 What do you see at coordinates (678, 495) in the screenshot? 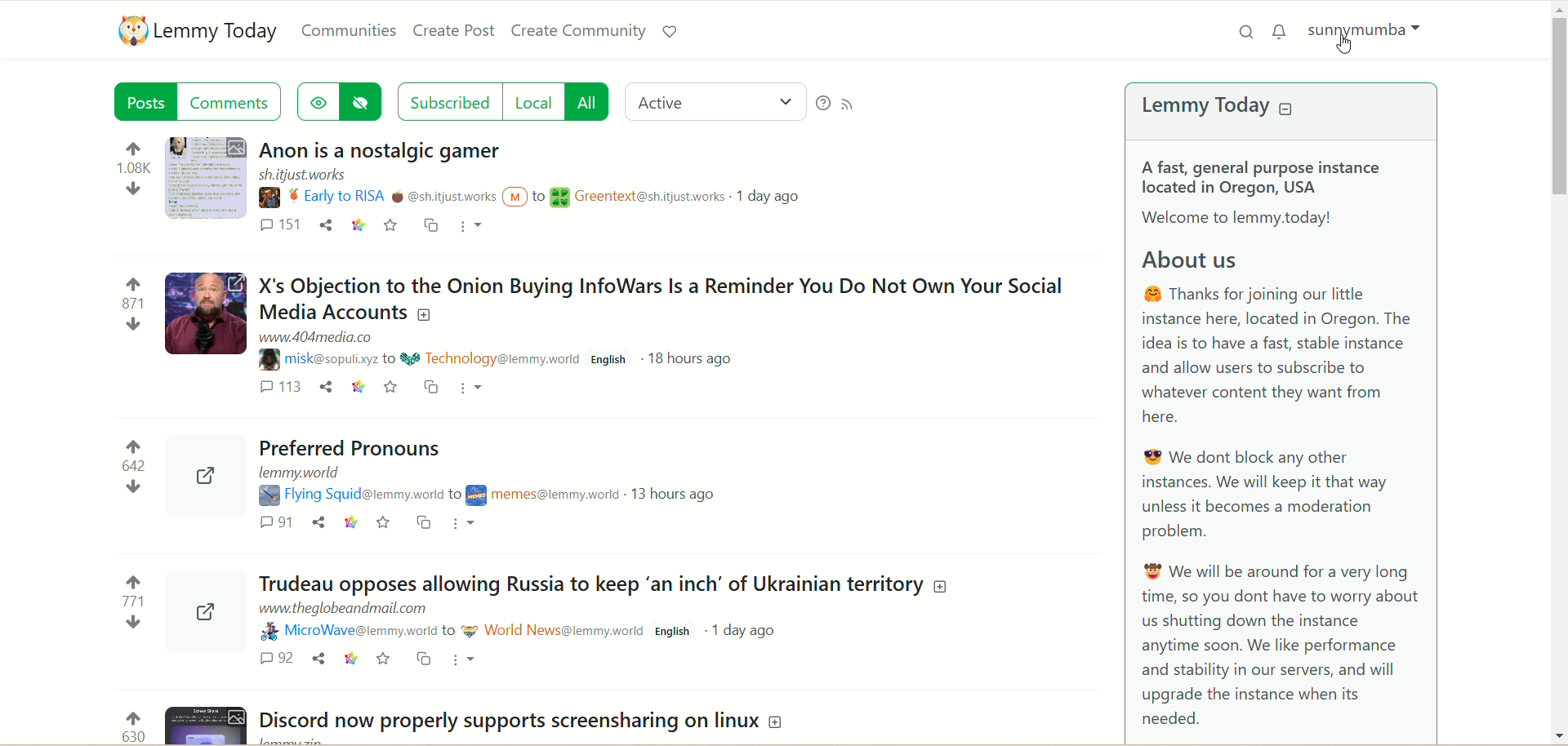
I see `13 hours ago` at bounding box center [678, 495].